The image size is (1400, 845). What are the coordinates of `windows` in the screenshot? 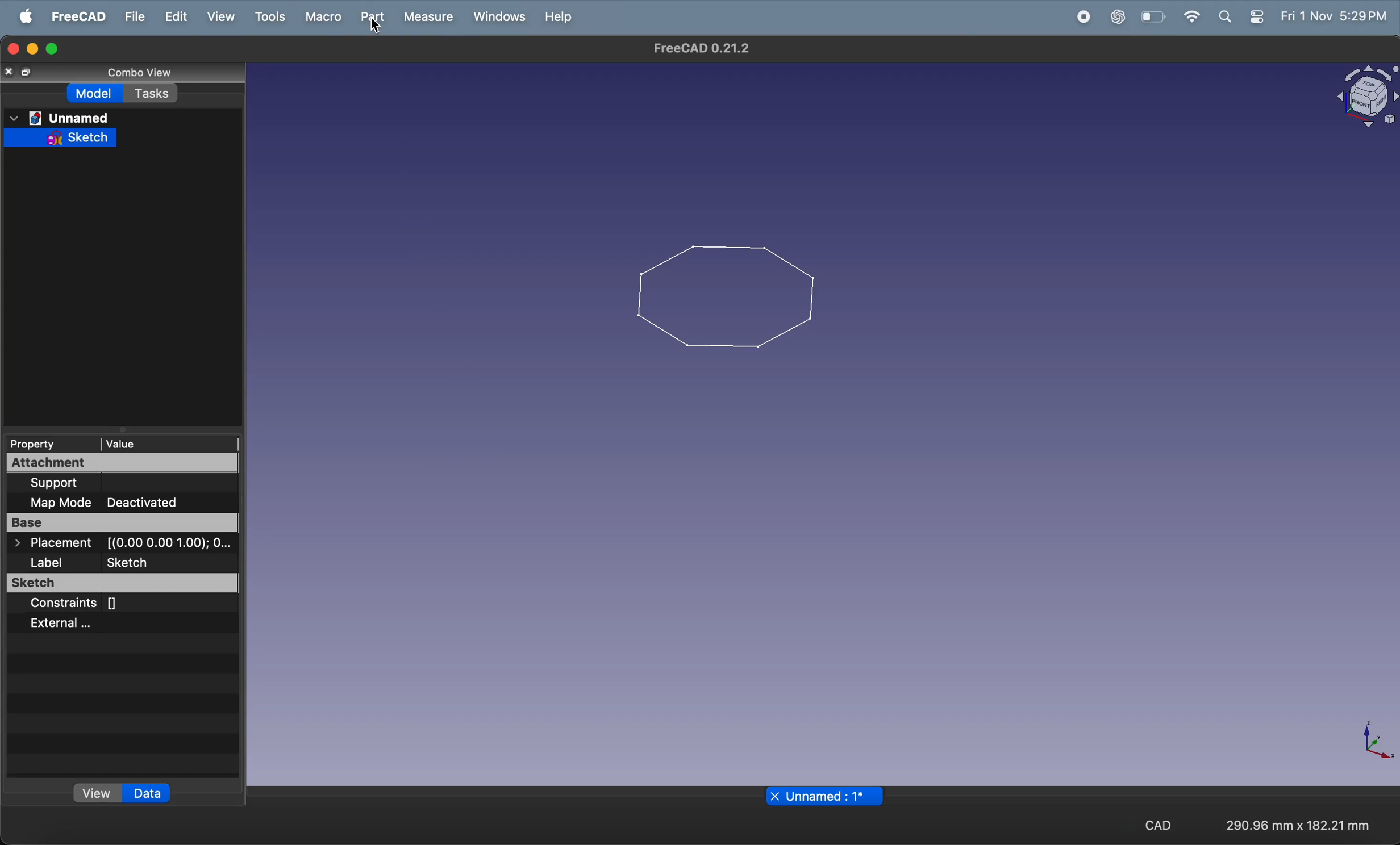 It's located at (497, 15).